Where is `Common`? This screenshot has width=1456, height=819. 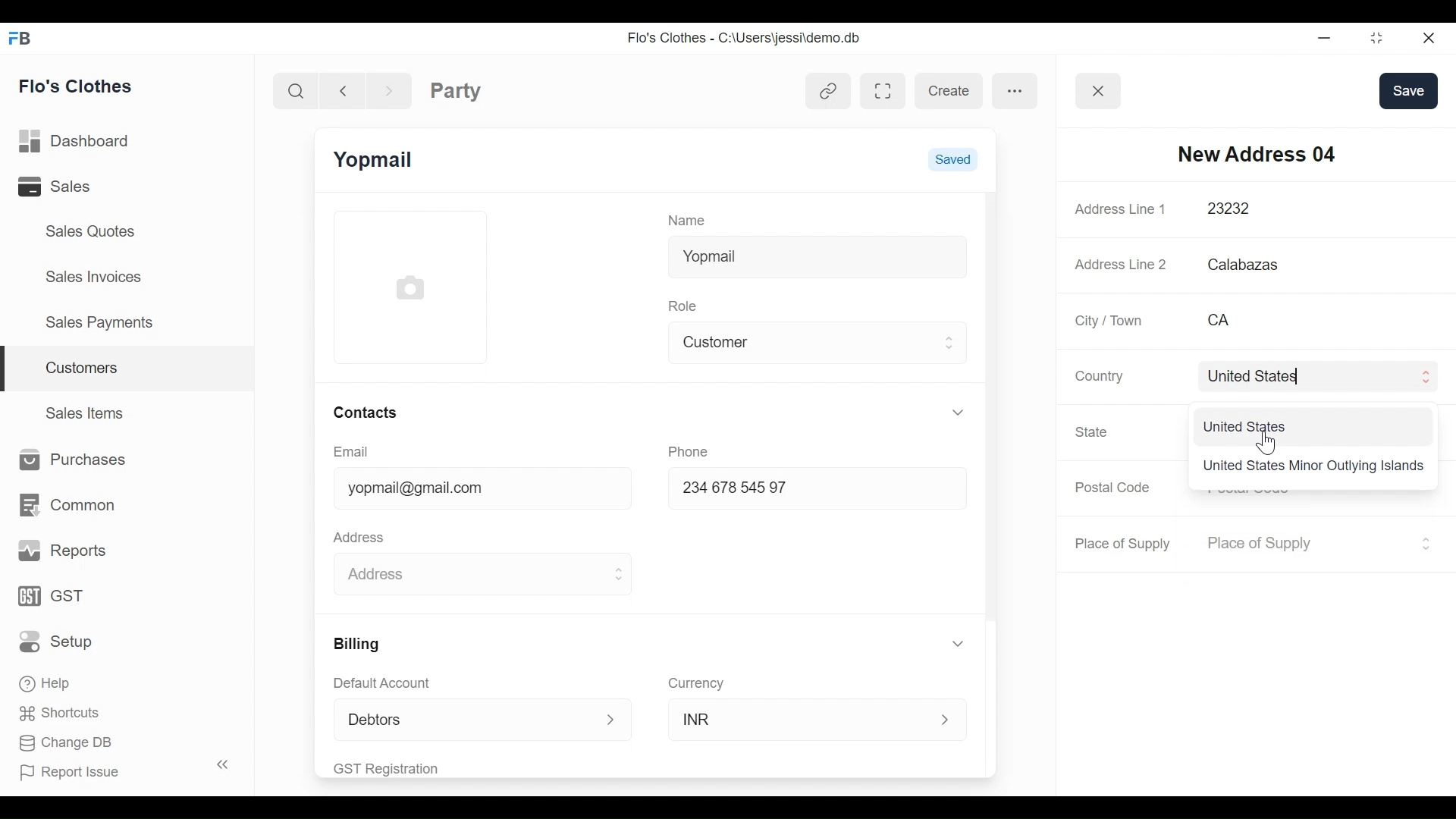 Common is located at coordinates (65, 505).